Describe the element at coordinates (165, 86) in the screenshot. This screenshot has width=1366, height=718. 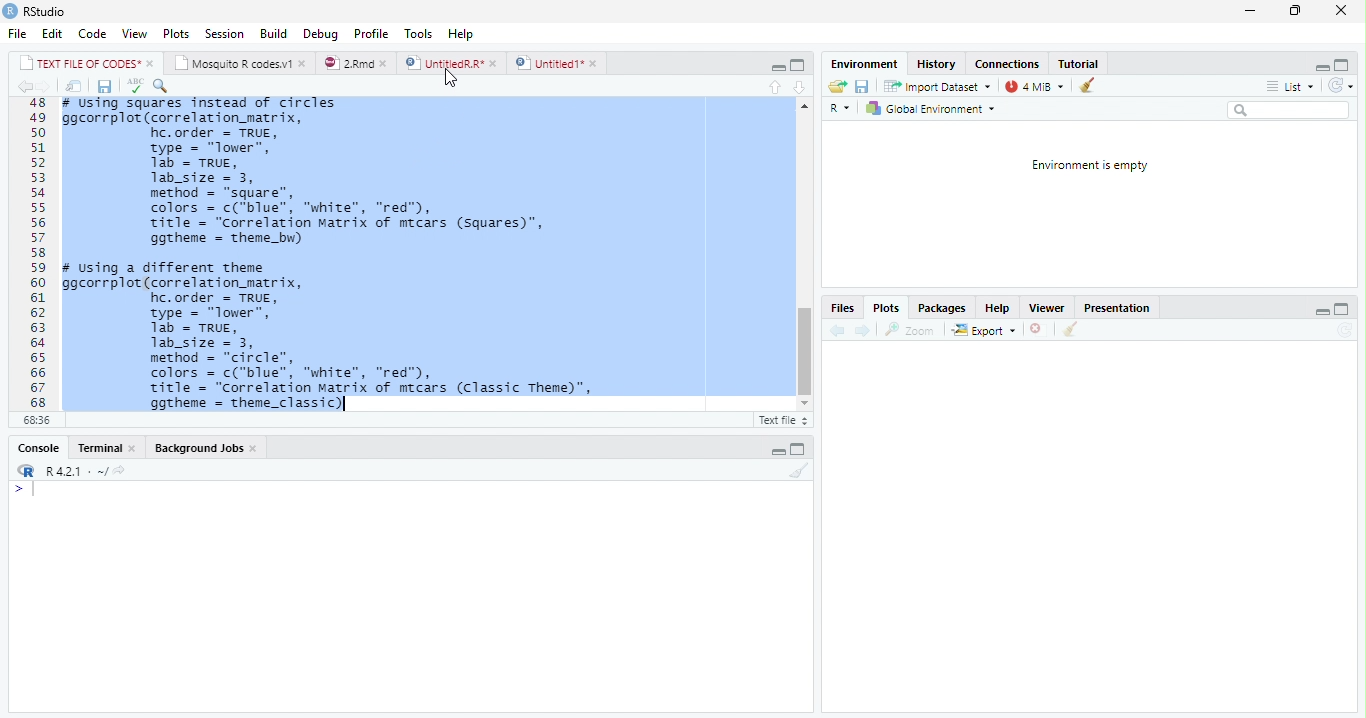
I see `find/replace` at that location.